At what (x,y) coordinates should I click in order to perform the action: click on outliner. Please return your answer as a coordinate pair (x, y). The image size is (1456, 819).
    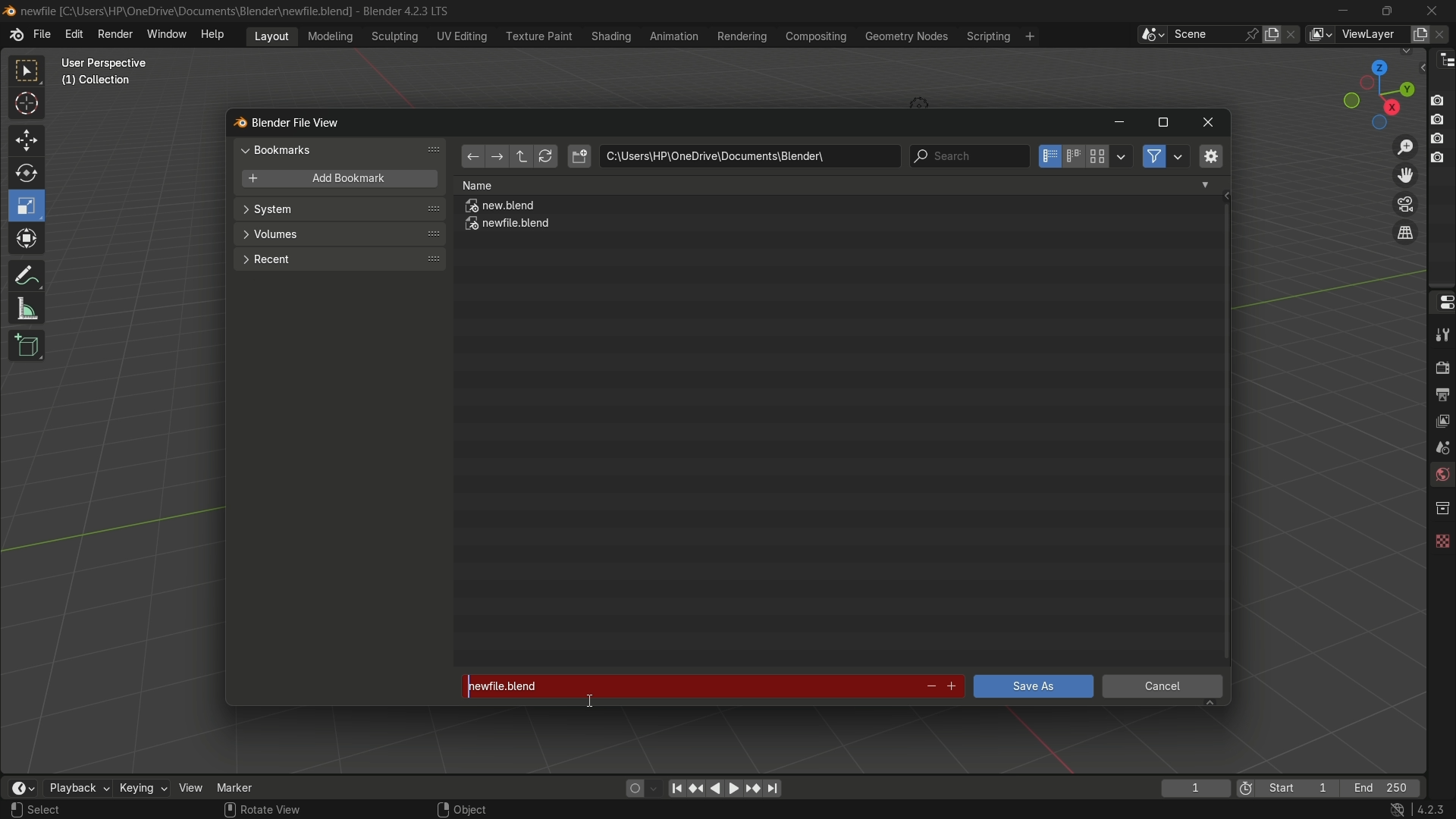
    Looking at the image, I should click on (1442, 59).